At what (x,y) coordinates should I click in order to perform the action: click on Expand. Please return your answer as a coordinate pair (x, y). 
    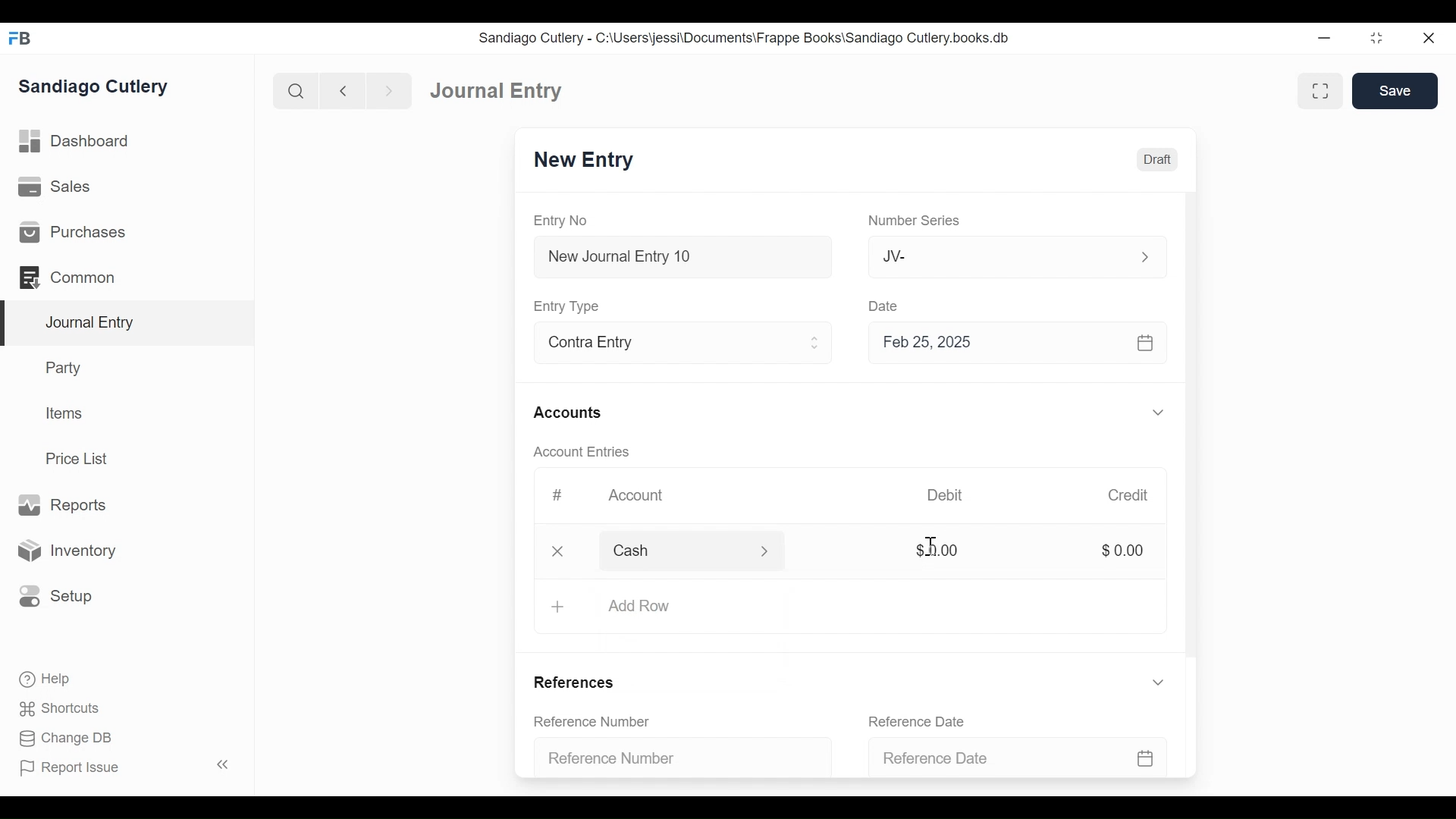
    Looking at the image, I should click on (1160, 685).